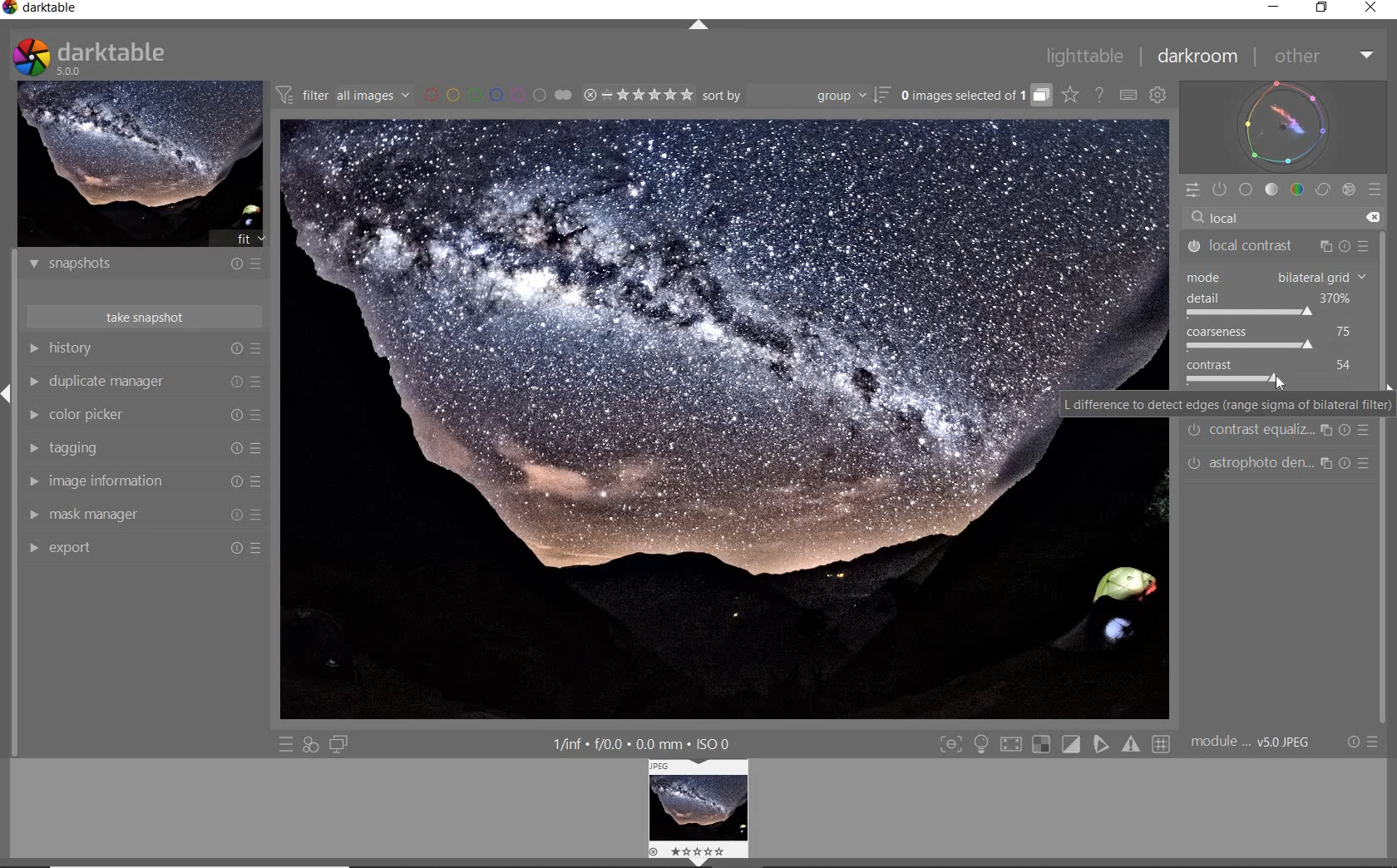 This screenshot has width=1397, height=868. Describe the element at coordinates (97, 511) in the screenshot. I see `mask manager` at that location.